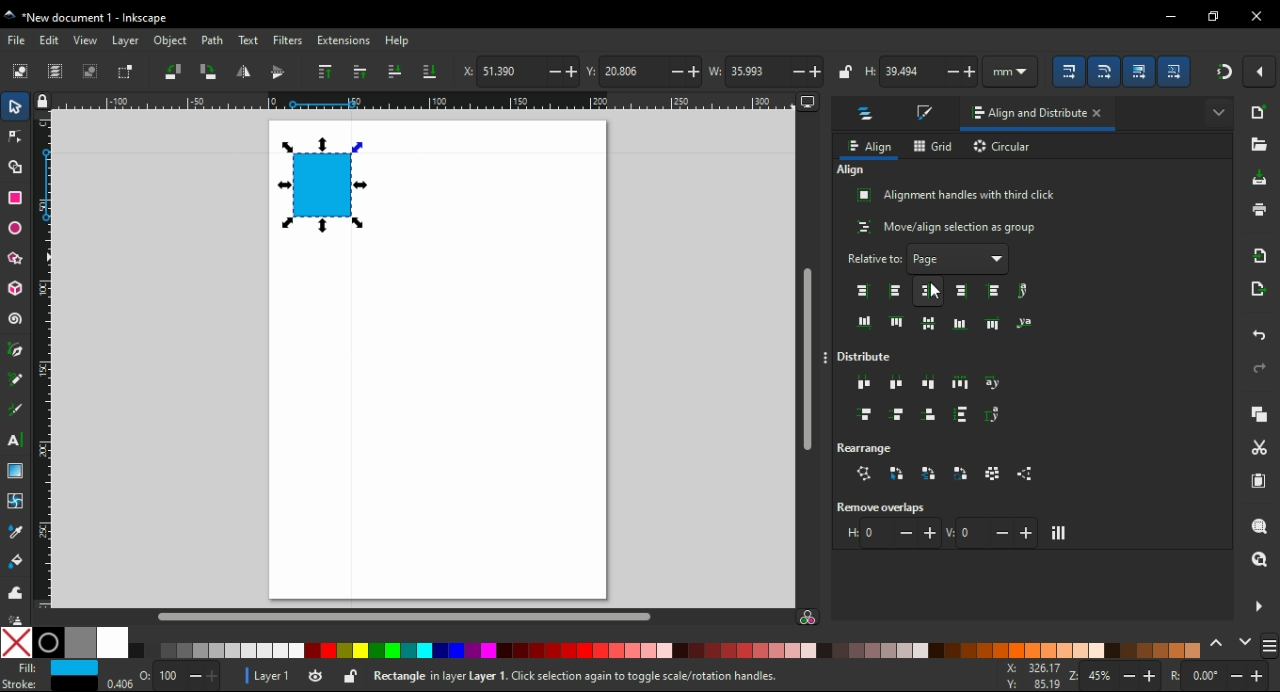 This screenshot has height=692, width=1280. I want to click on align, so click(869, 147).